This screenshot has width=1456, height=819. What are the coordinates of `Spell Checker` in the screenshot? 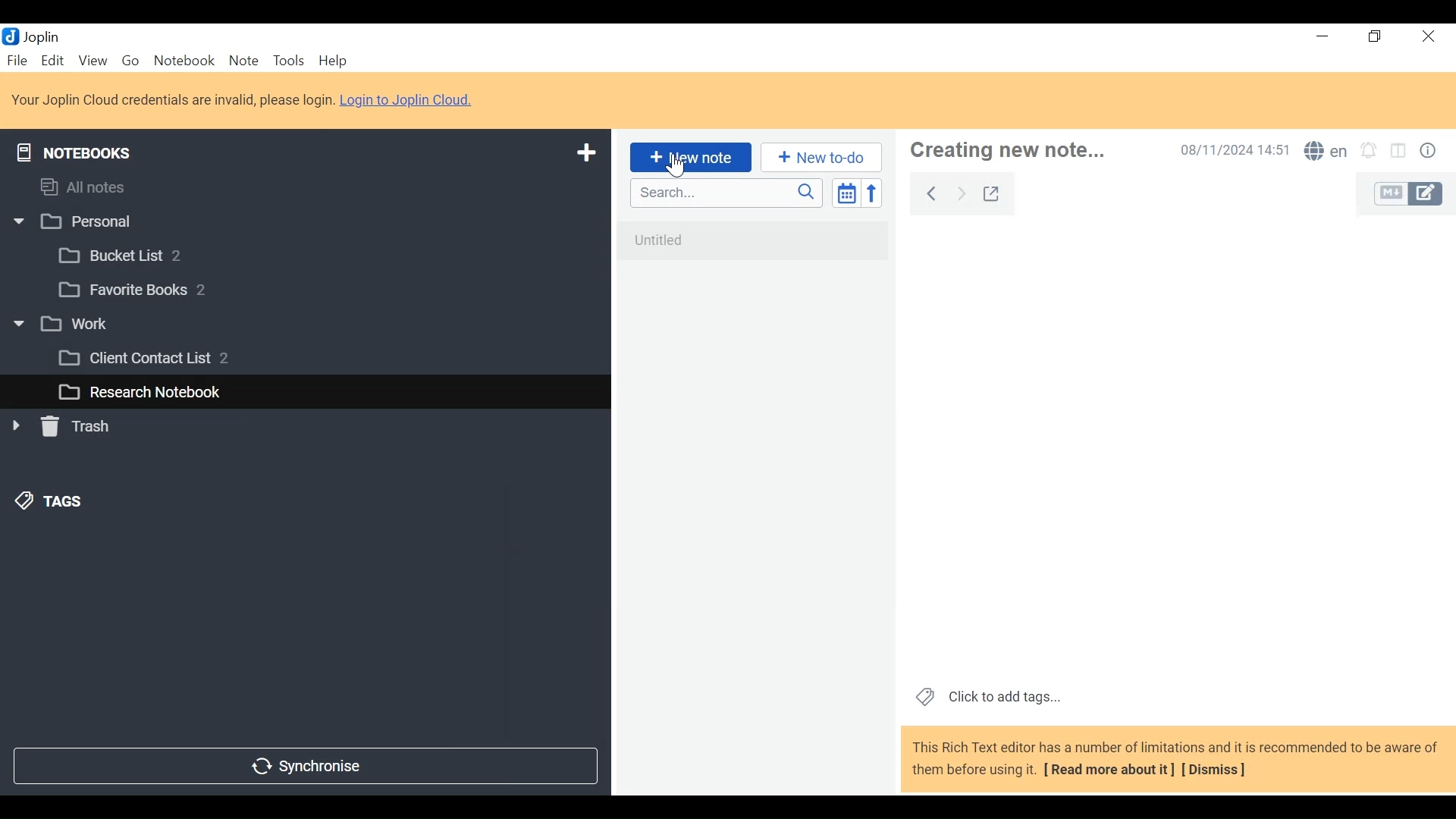 It's located at (1326, 152).